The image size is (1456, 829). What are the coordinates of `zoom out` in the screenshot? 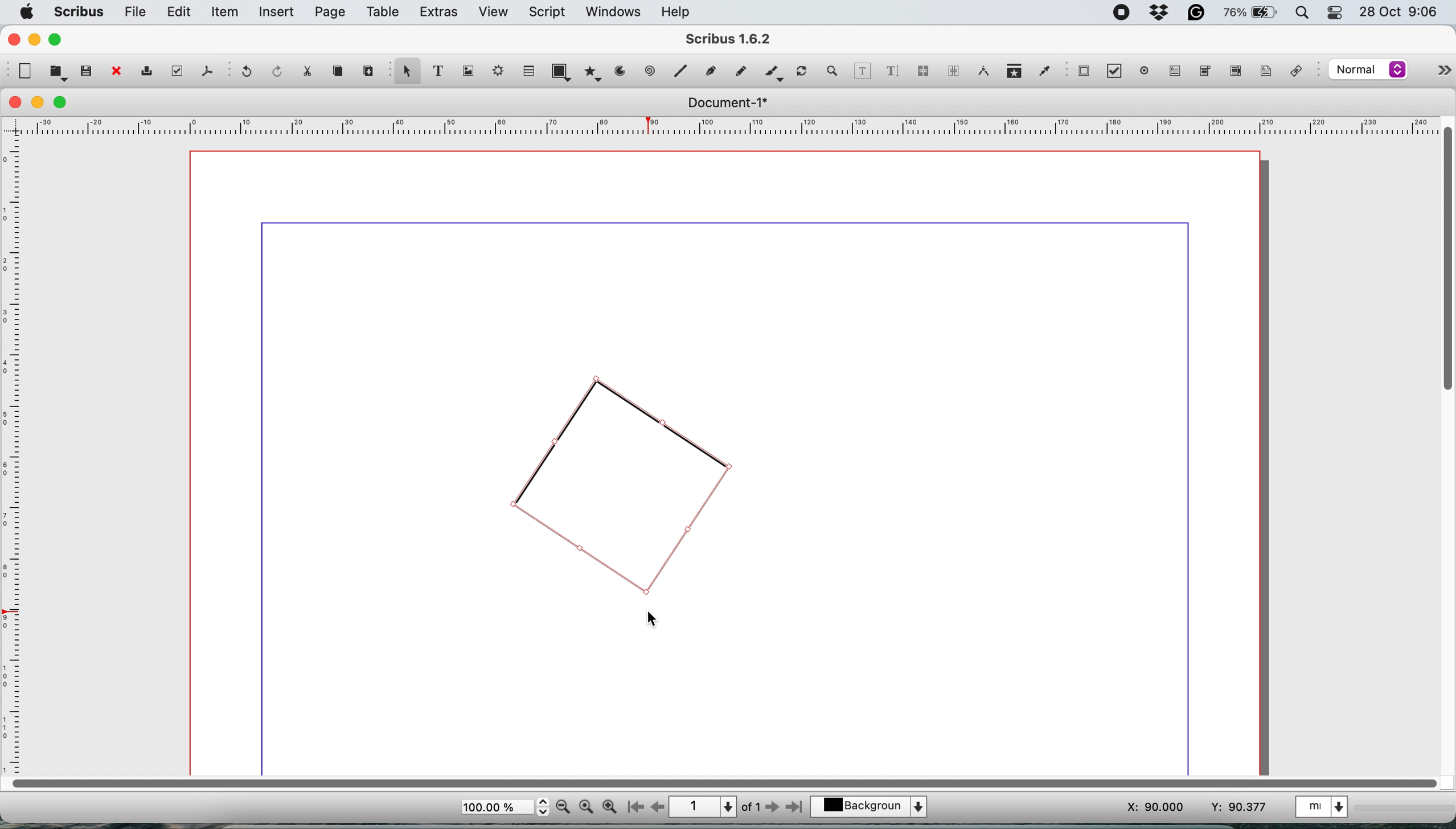 It's located at (563, 808).